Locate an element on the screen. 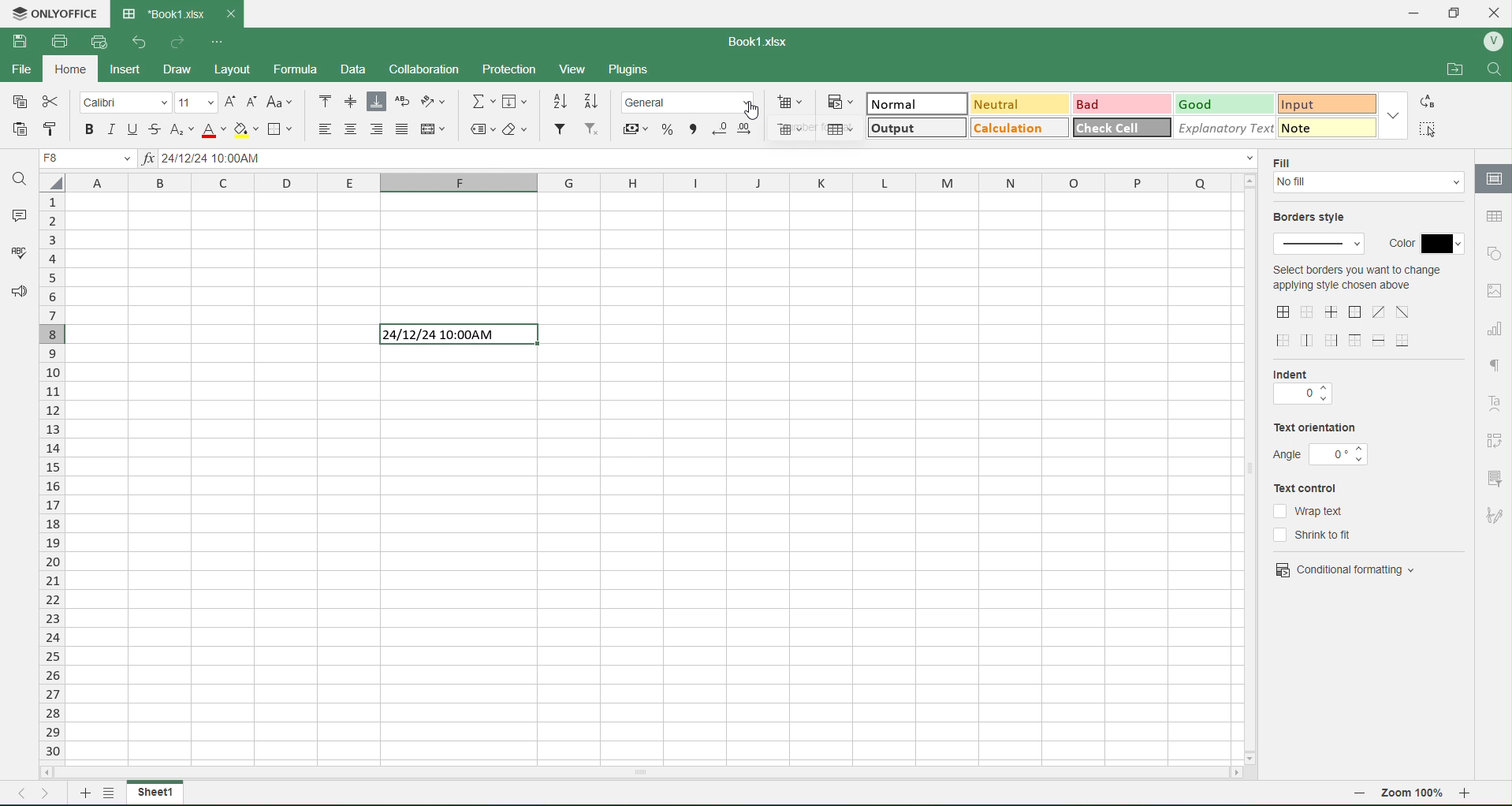  Conditional Formating is located at coordinates (840, 101).